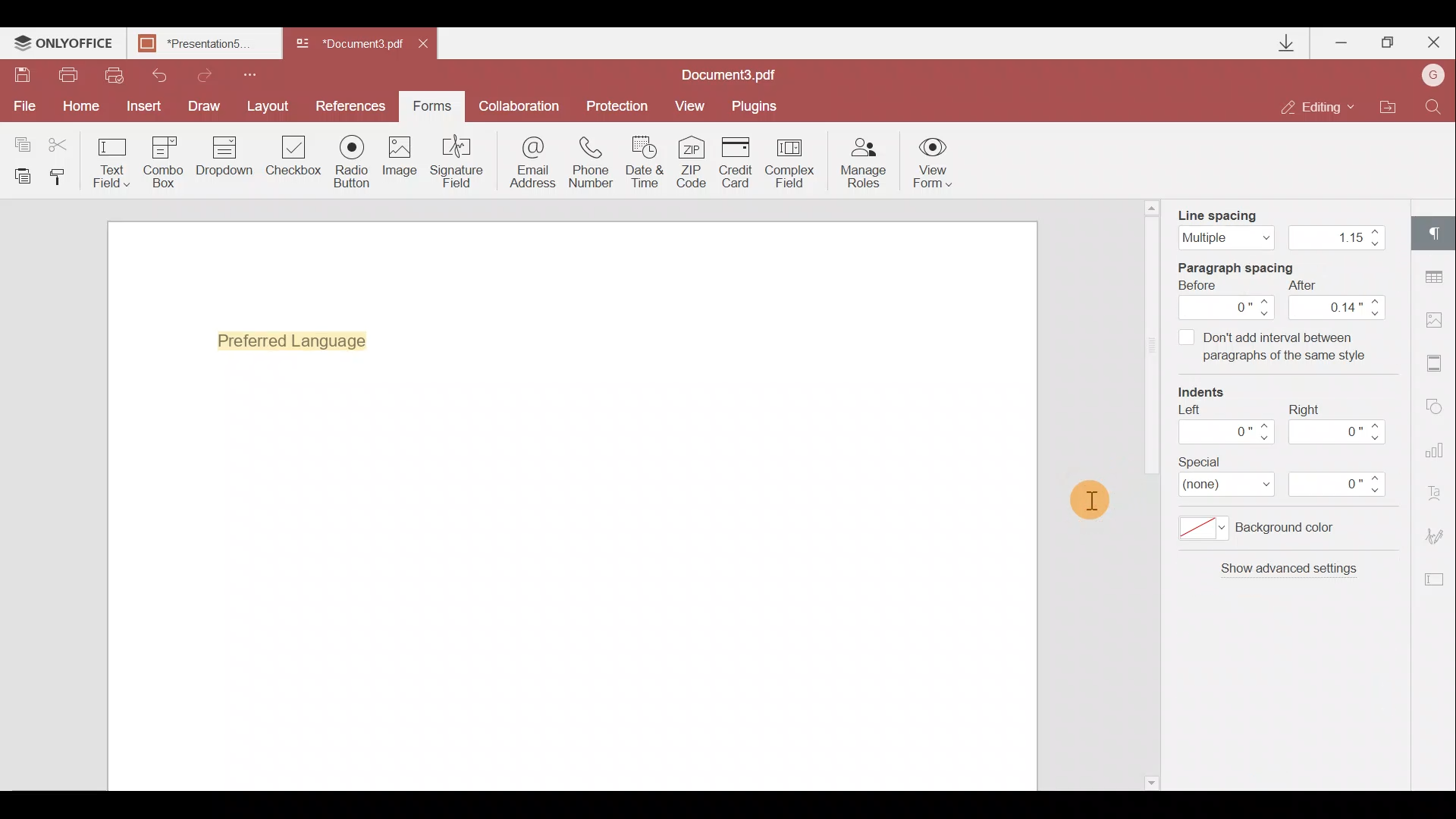 The height and width of the screenshot is (819, 1456). What do you see at coordinates (646, 165) in the screenshot?
I see `Date & time` at bounding box center [646, 165].